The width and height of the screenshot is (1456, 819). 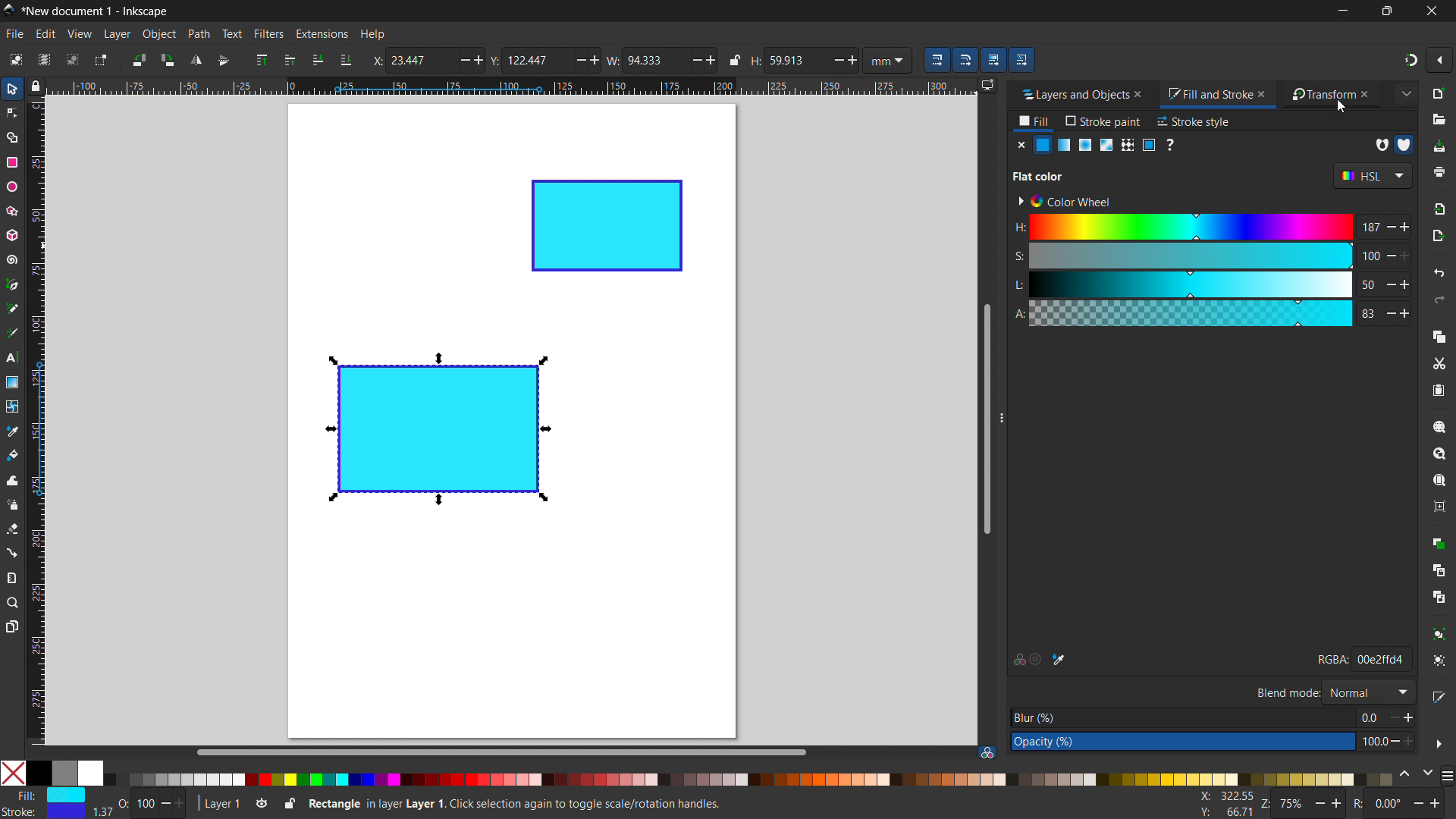 I want to click on text, so click(x=231, y=33).